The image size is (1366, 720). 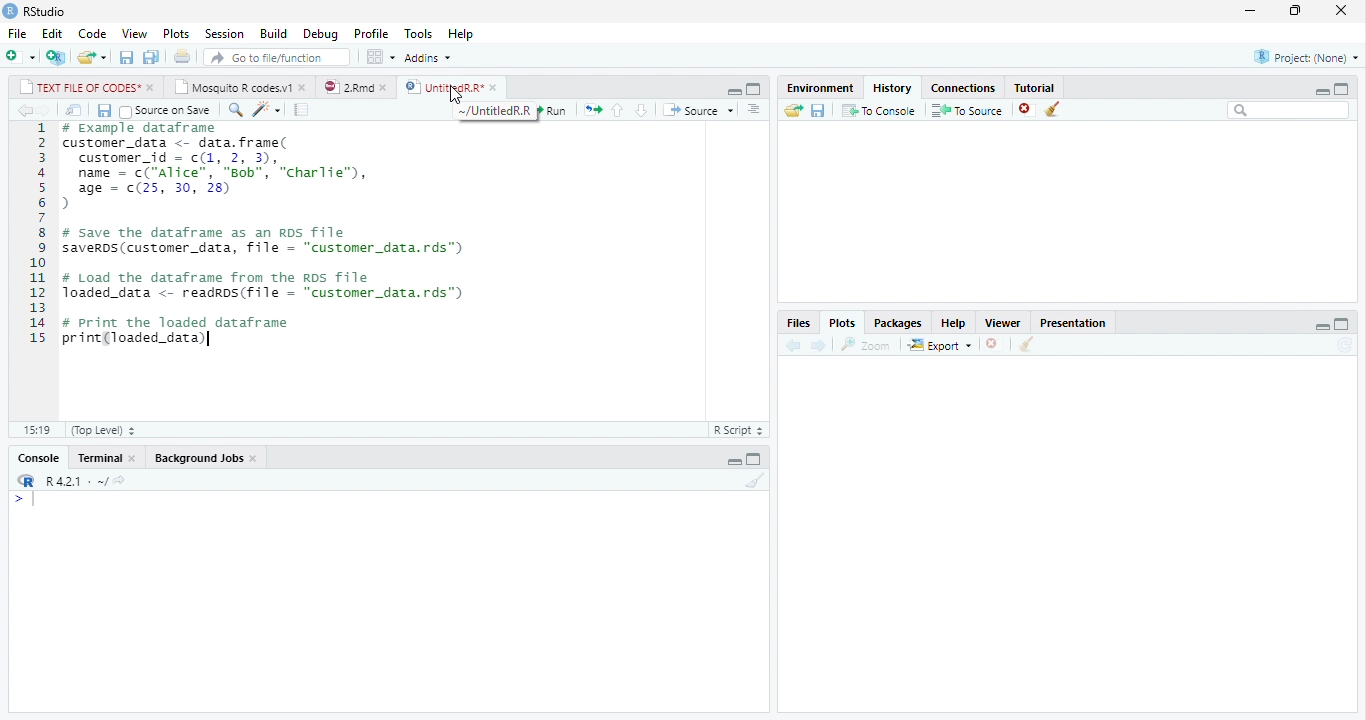 I want to click on Background Jobs, so click(x=198, y=458).